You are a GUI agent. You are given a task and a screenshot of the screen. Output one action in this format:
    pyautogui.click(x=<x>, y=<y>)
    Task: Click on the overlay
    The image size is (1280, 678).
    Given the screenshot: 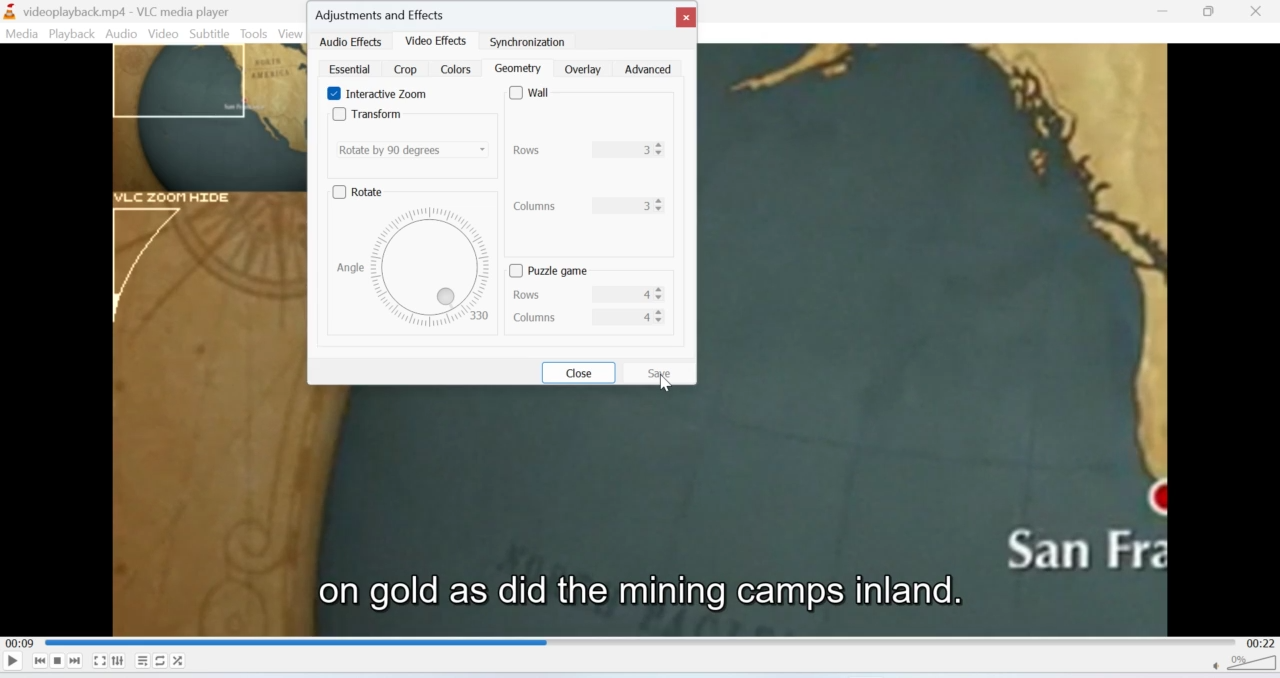 What is the action you would take?
    pyautogui.click(x=580, y=69)
    